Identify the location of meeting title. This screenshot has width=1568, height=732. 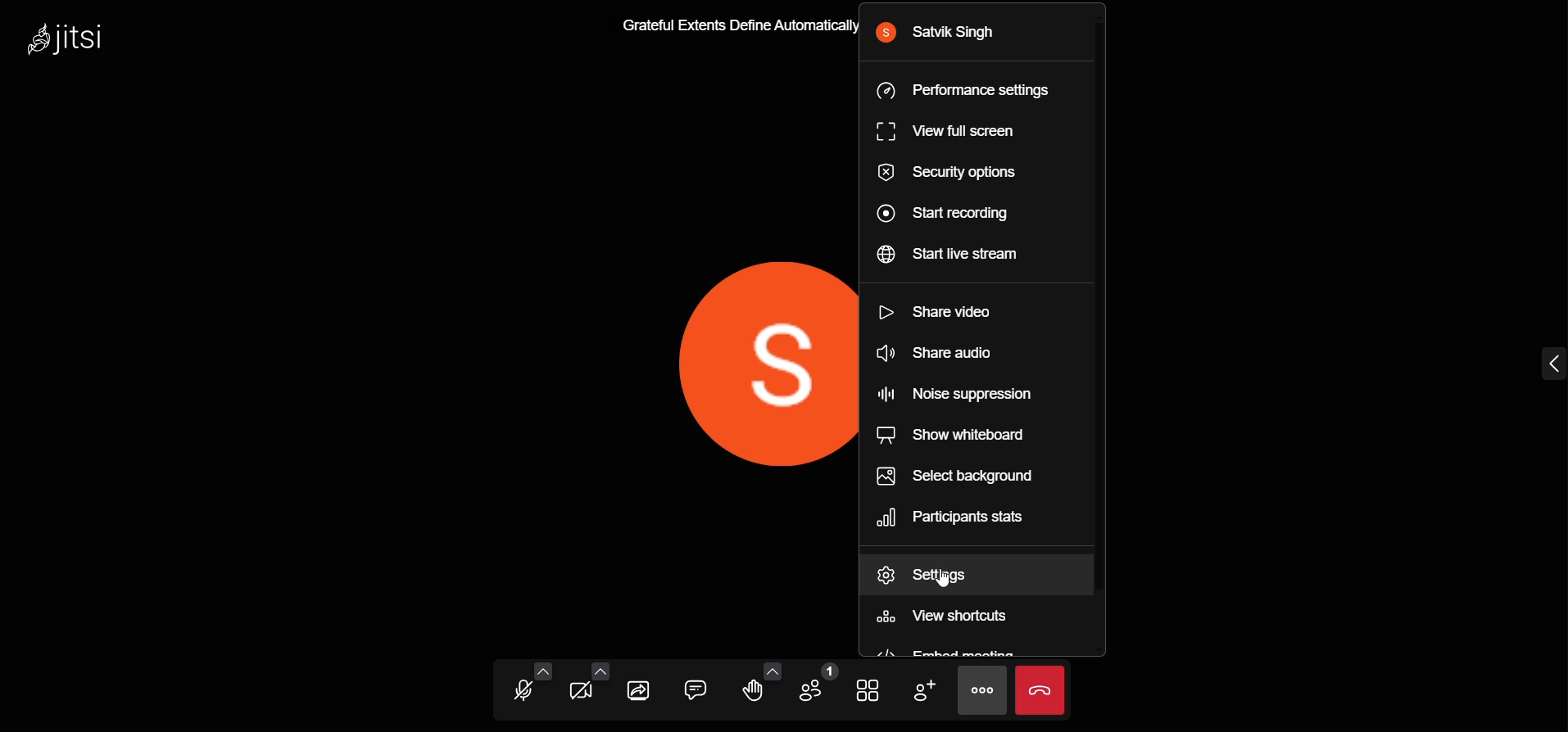
(728, 26).